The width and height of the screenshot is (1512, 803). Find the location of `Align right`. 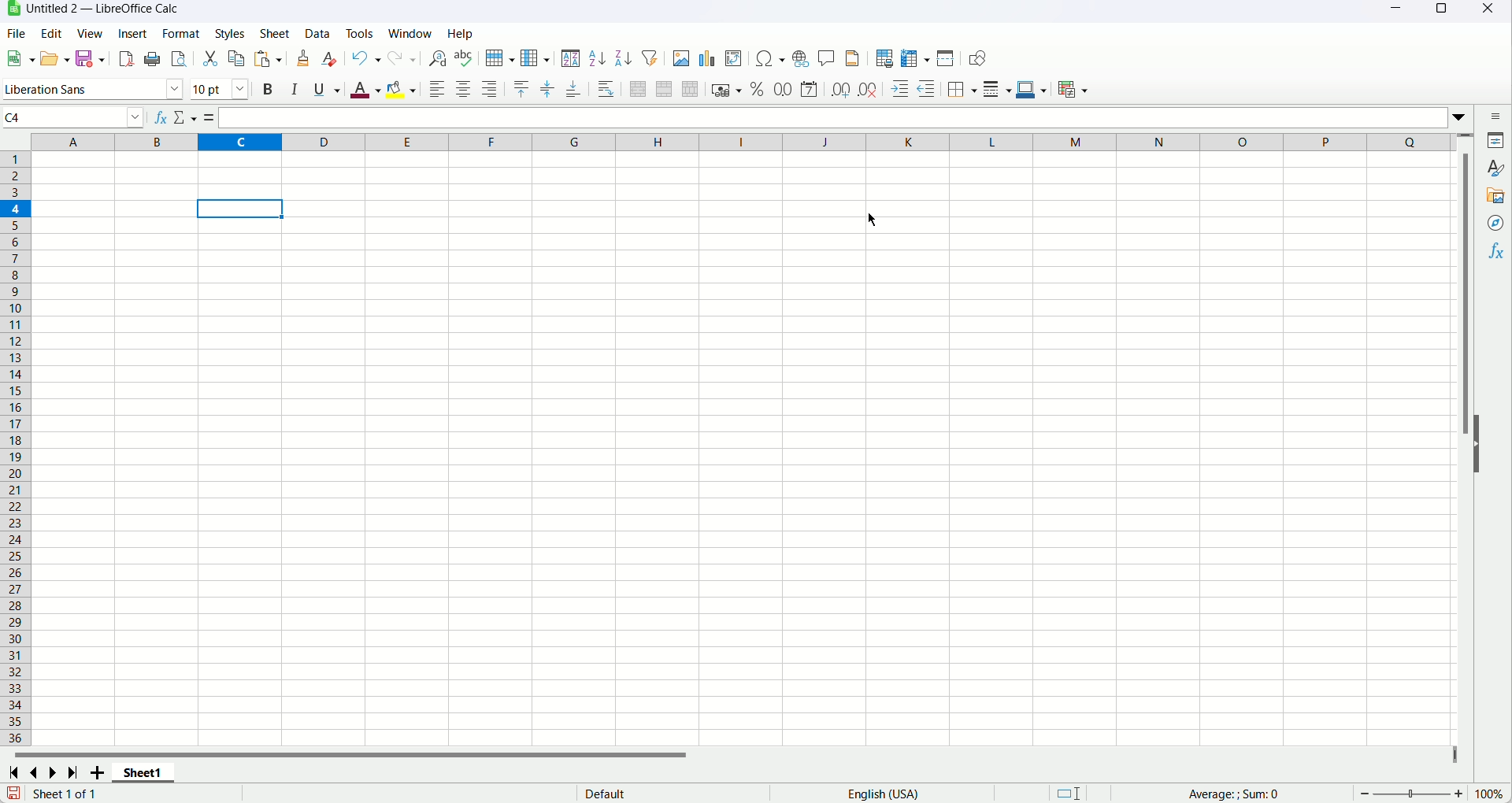

Align right is located at coordinates (489, 90).